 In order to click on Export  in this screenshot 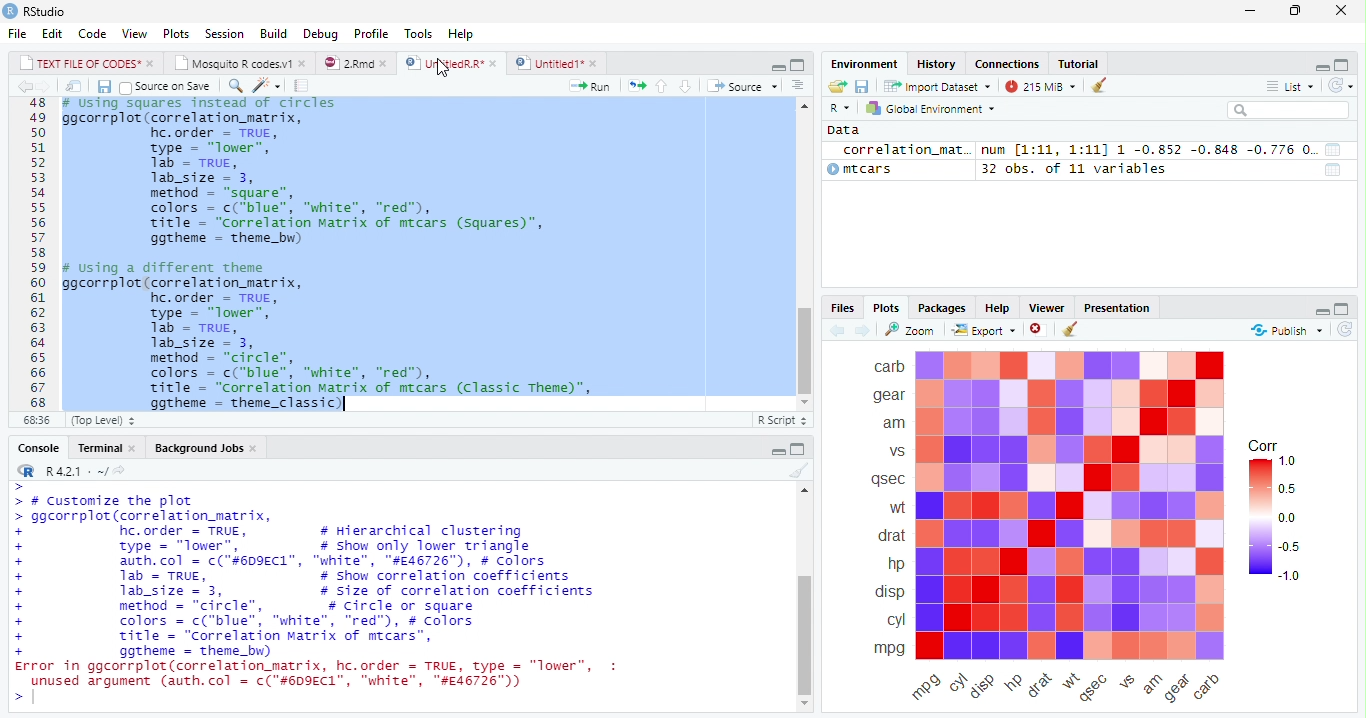, I will do `click(983, 330)`.